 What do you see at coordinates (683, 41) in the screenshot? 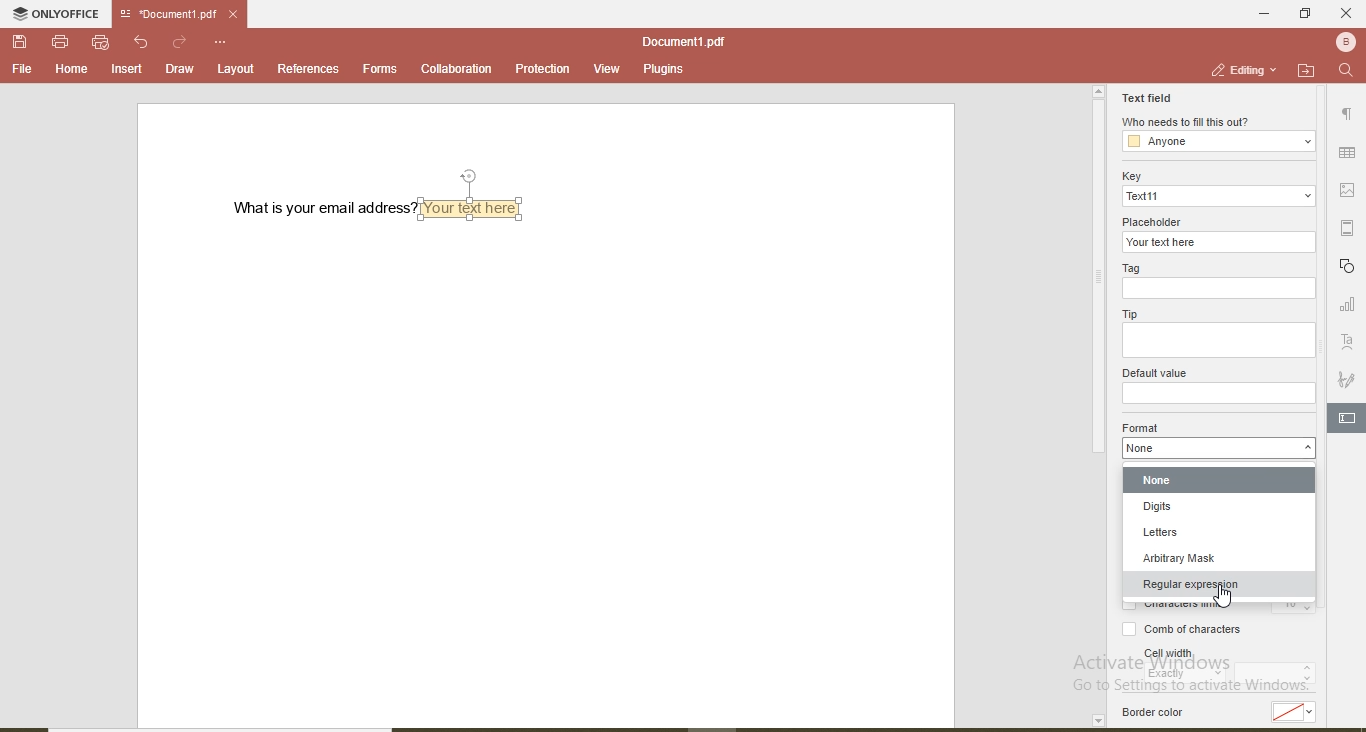
I see `file name` at bounding box center [683, 41].